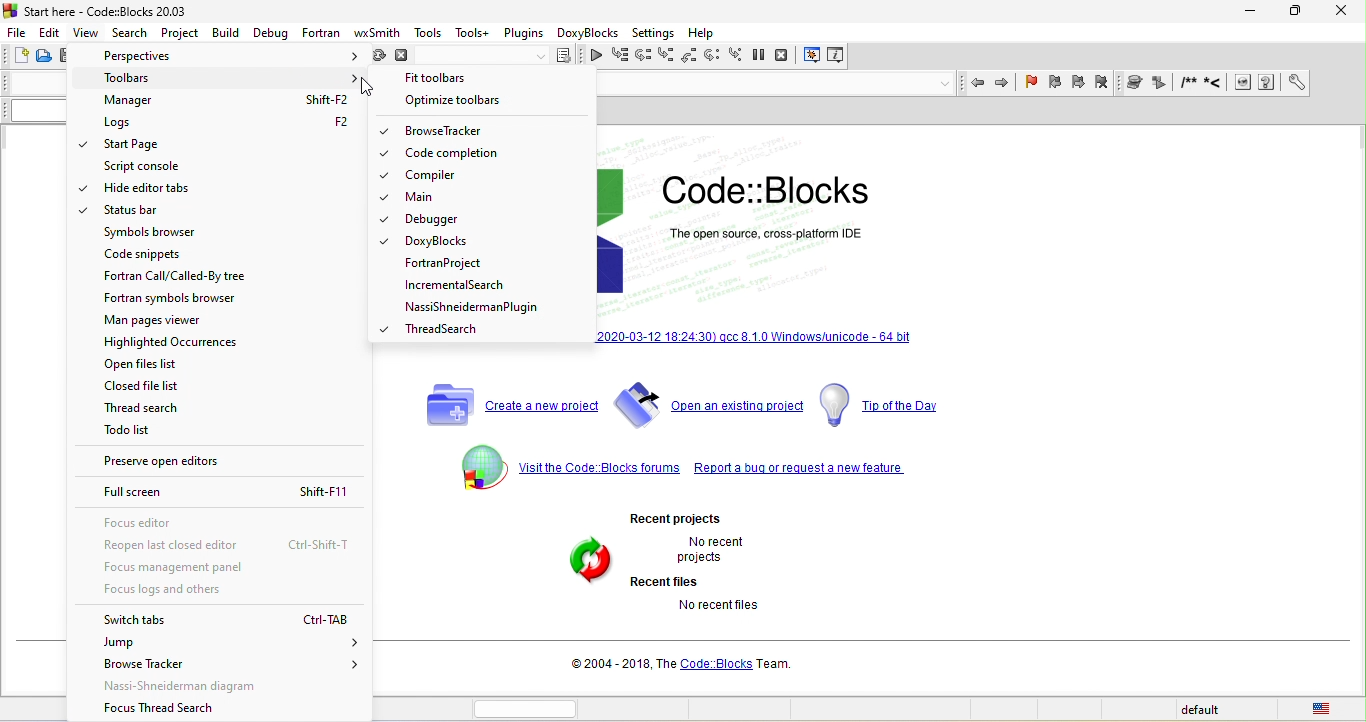 The height and width of the screenshot is (722, 1366). What do you see at coordinates (429, 32) in the screenshot?
I see `tools` at bounding box center [429, 32].